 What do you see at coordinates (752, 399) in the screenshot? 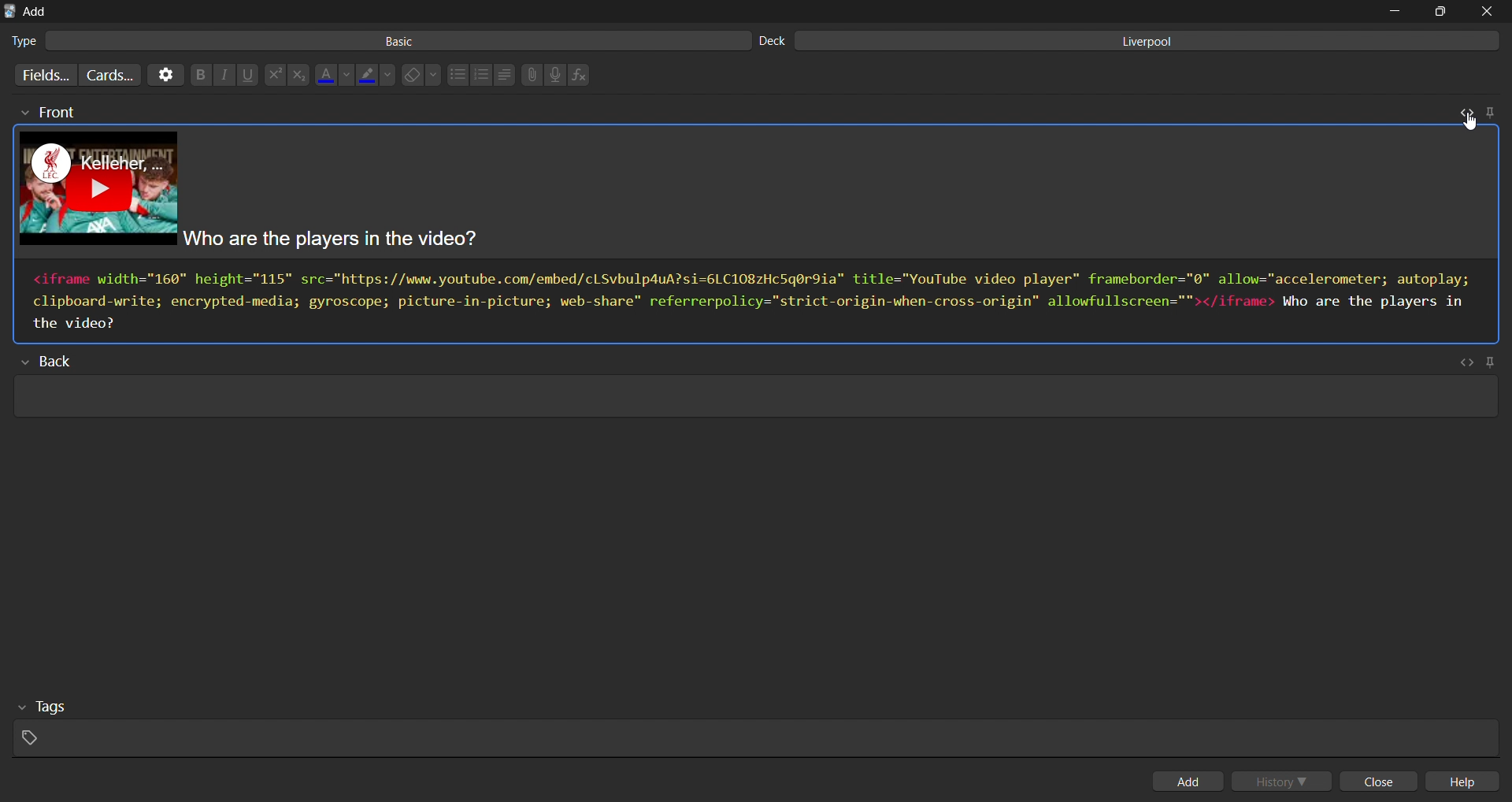
I see `card back input field` at bounding box center [752, 399].